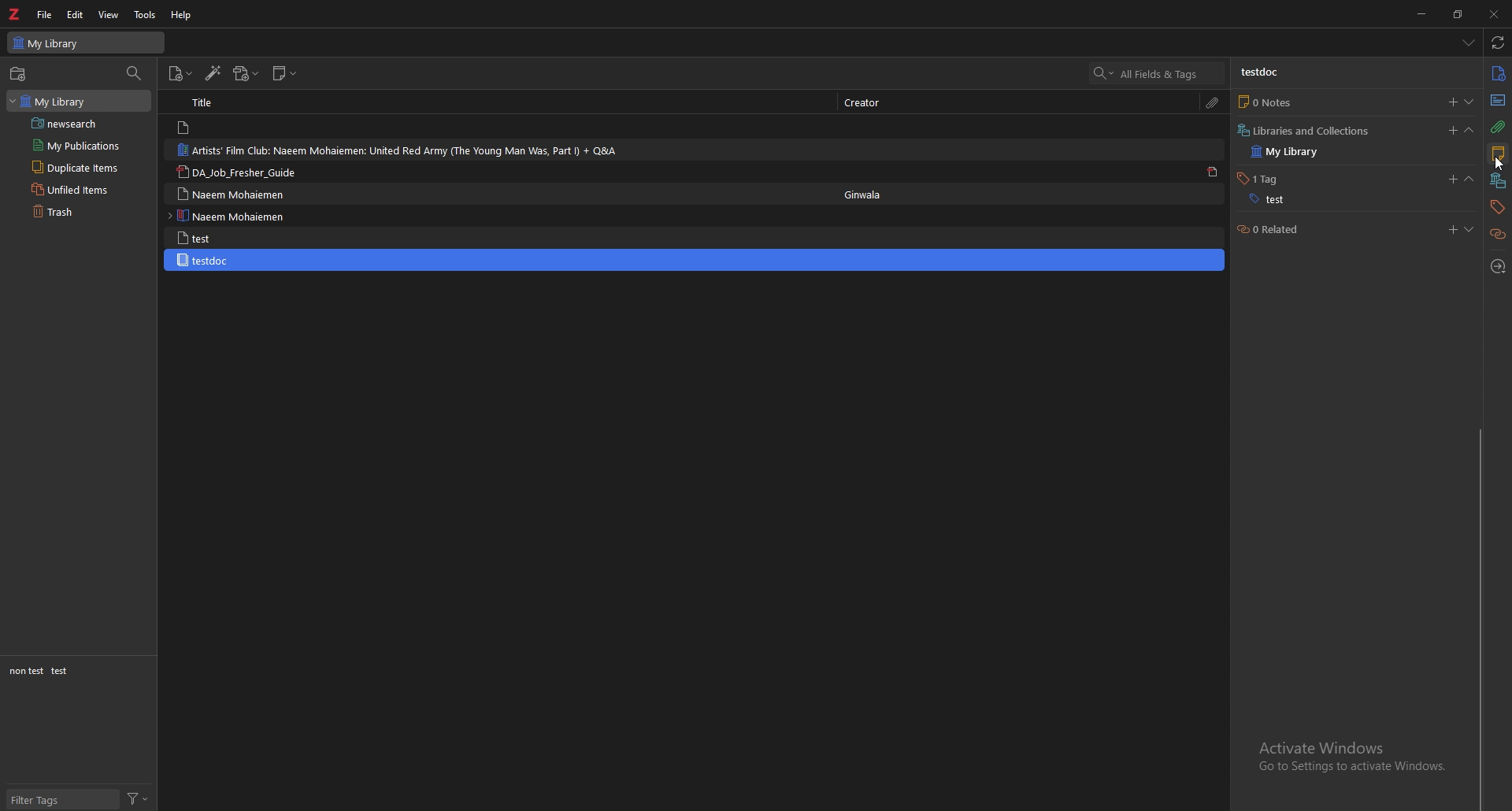 The height and width of the screenshot is (811, 1512). Describe the element at coordinates (1498, 164) in the screenshot. I see `cursor` at that location.